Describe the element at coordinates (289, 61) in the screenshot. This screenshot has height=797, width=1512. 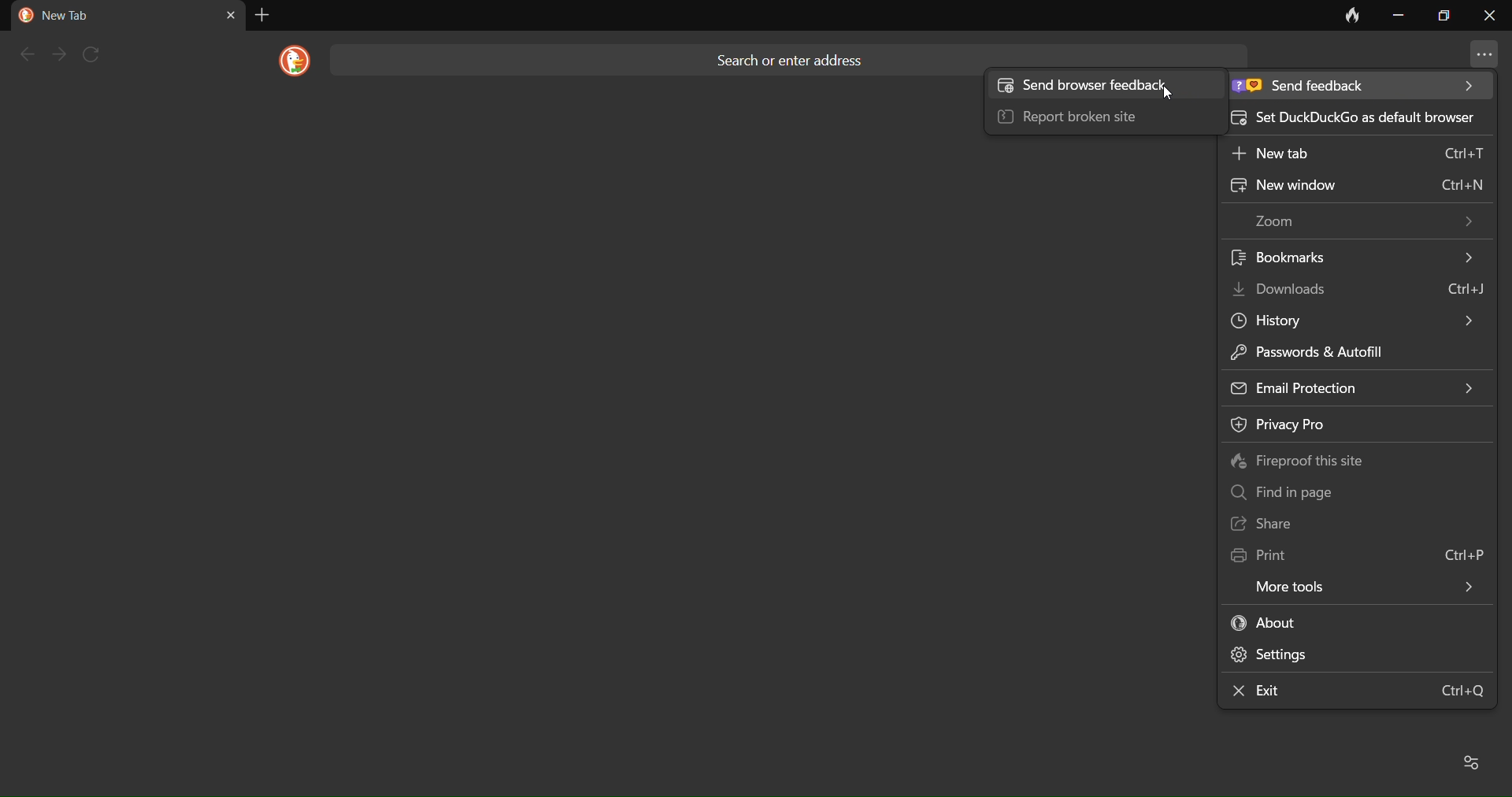
I see `logo` at that location.